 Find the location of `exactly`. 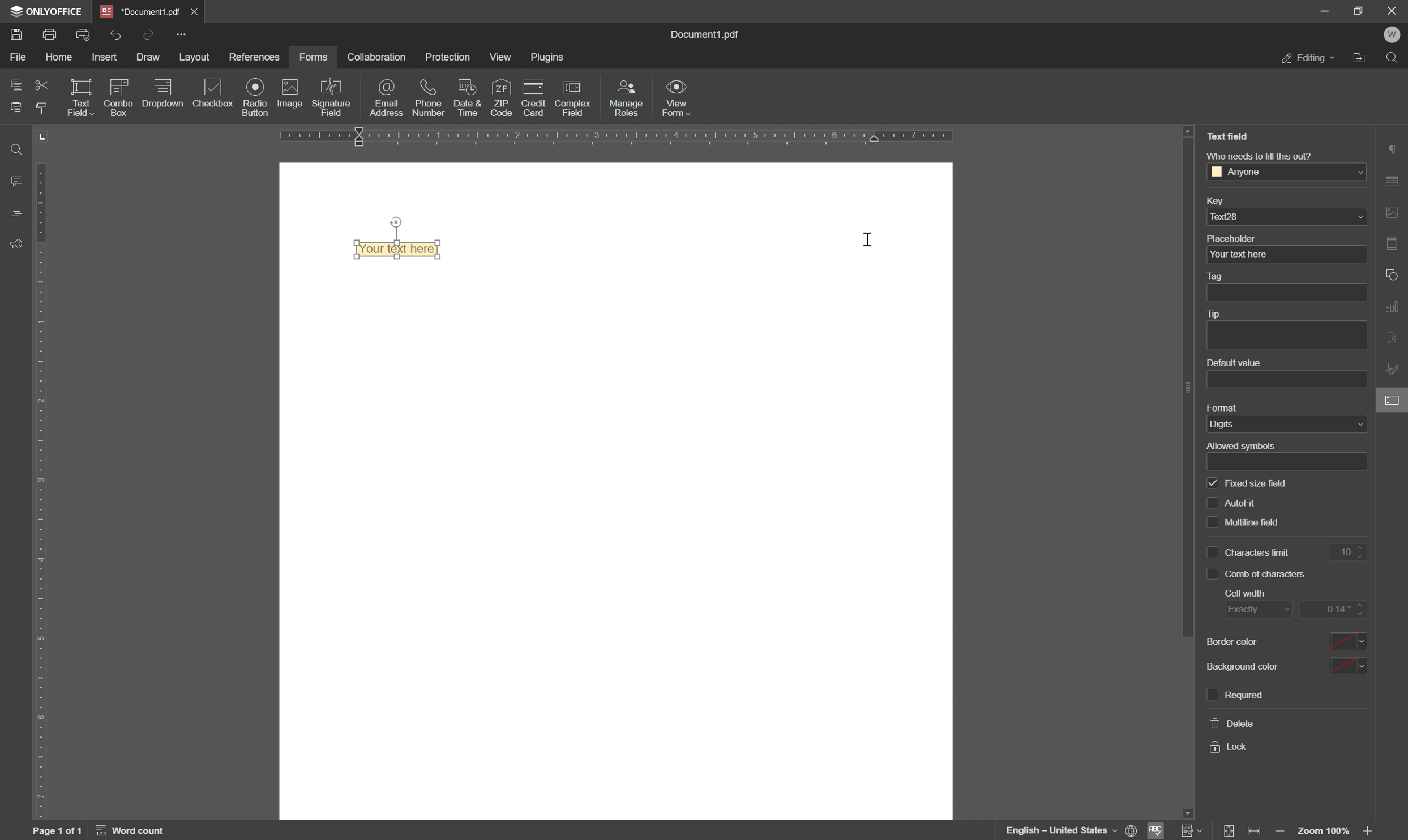

exactly is located at coordinates (1255, 609).